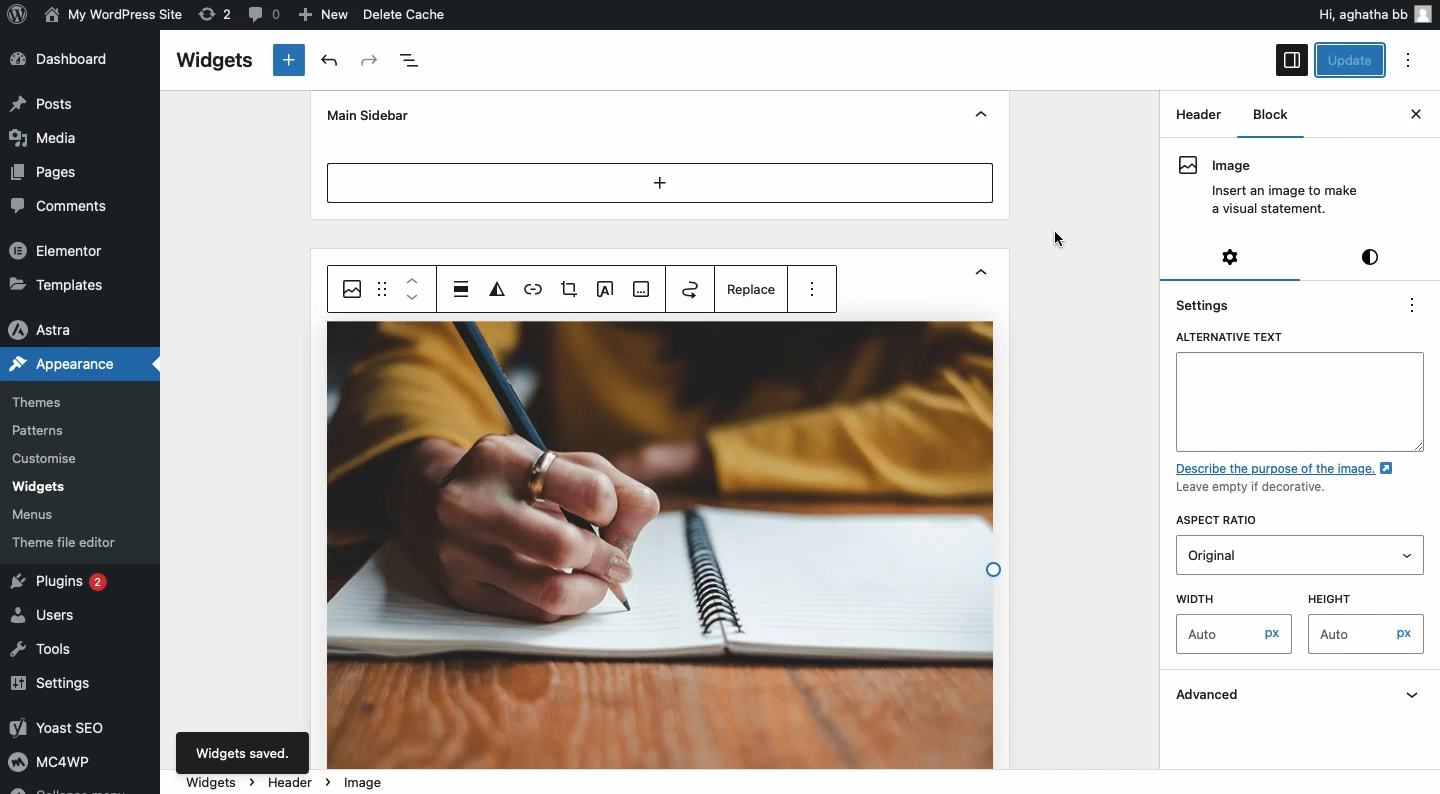  Describe the element at coordinates (1225, 597) in the screenshot. I see `width` at that location.